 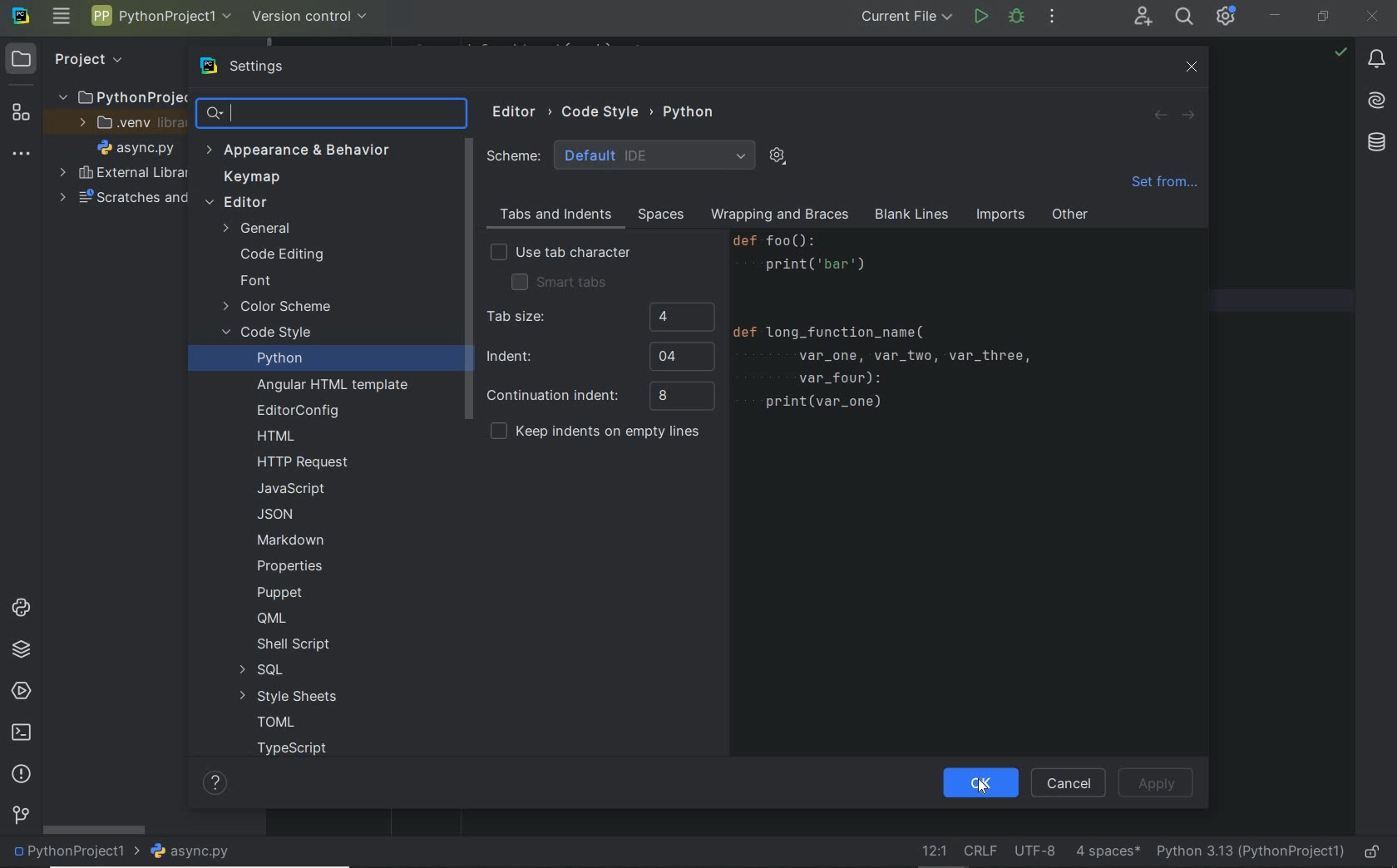 What do you see at coordinates (294, 411) in the screenshot?
I see `Editoronfig` at bounding box center [294, 411].